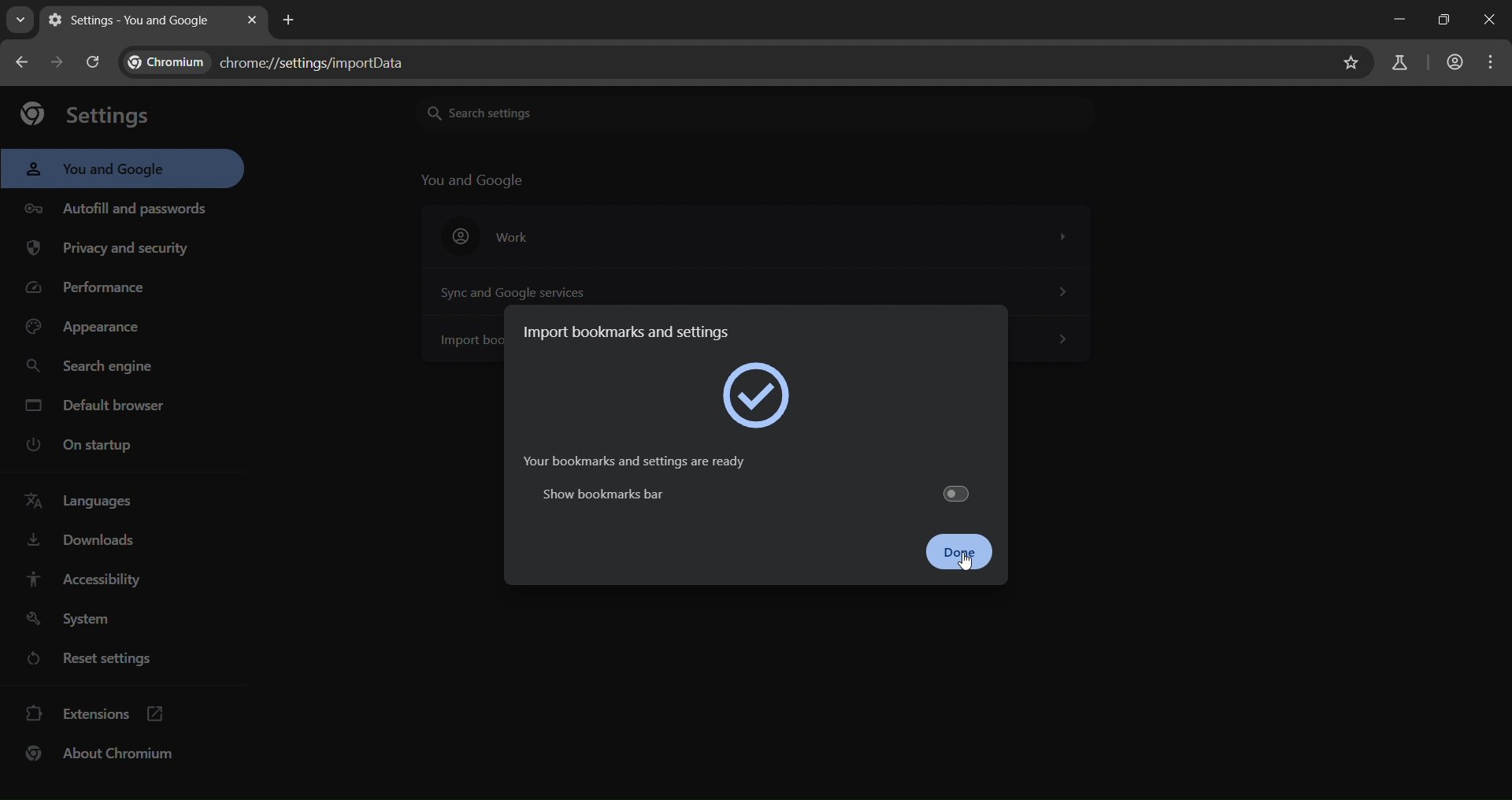  What do you see at coordinates (91, 365) in the screenshot?
I see `earch engine` at bounding box center [91, 365].